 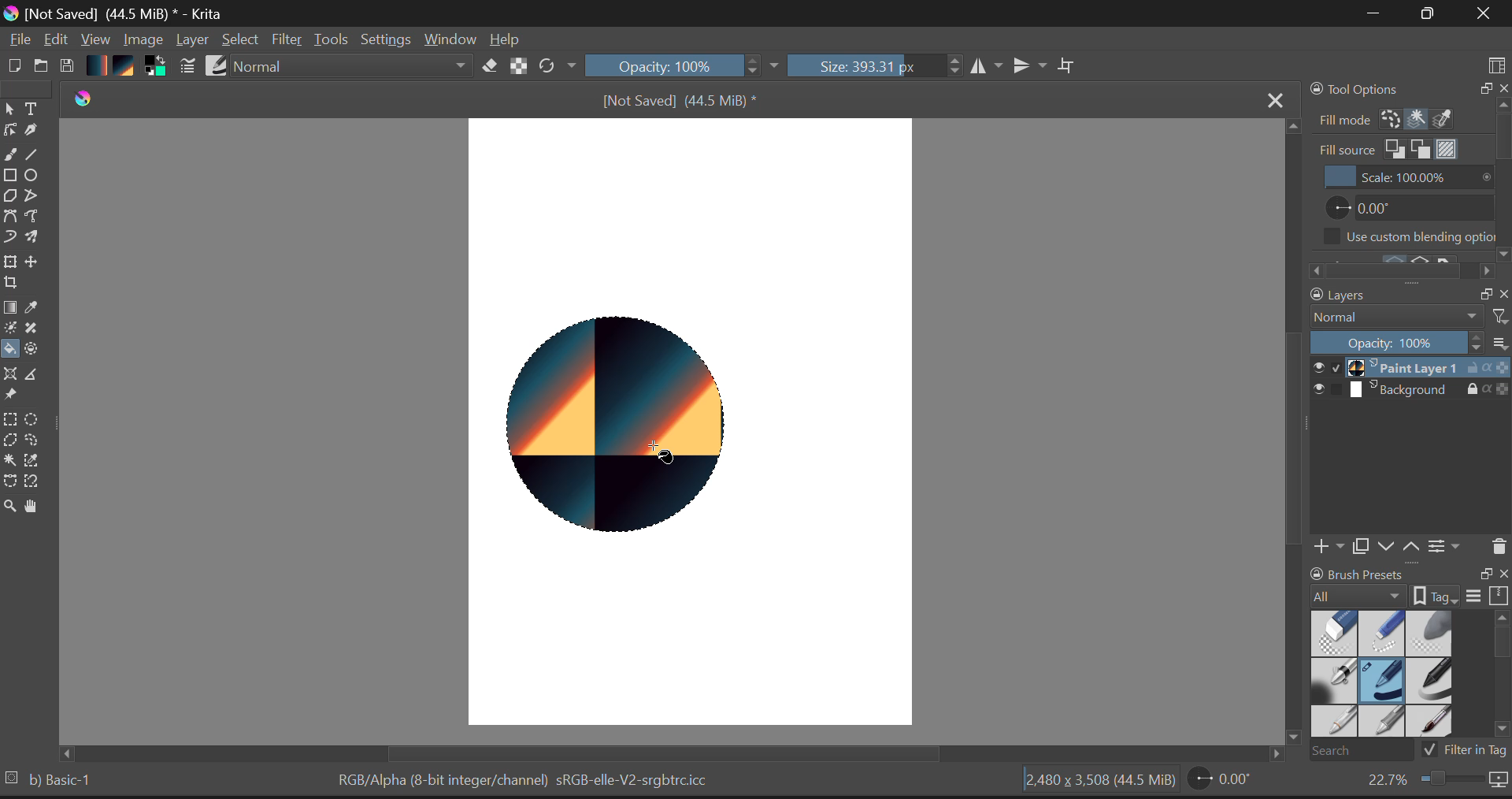 What do you see at coordinates (155, 67) in the screenshot?
I see `Colors in use` at bounding box center [155, 67].